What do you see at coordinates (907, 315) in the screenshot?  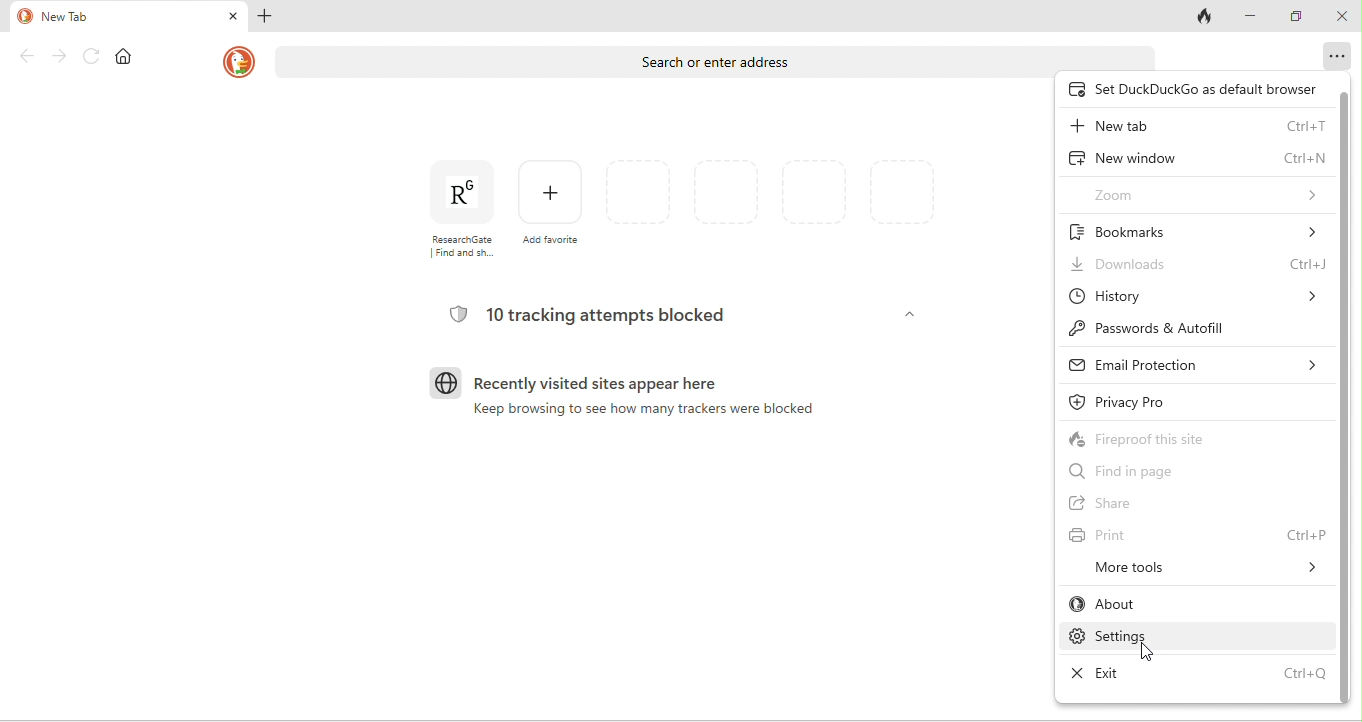 I see `dropdown` at bounding box center [907, 315].